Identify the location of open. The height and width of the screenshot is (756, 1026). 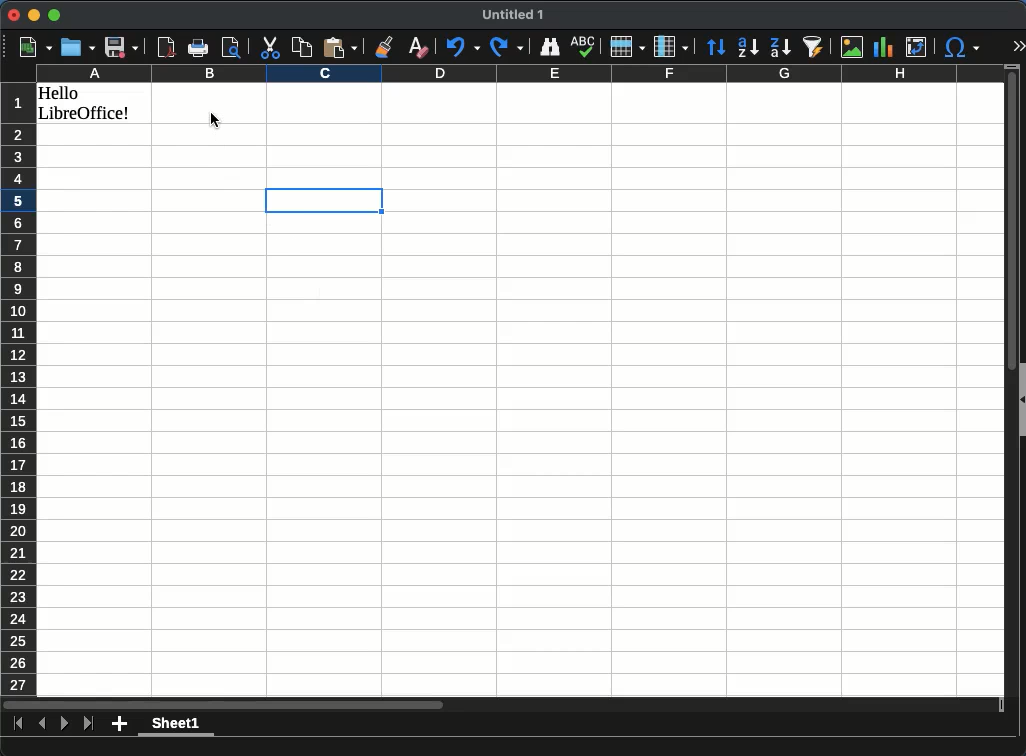
(75, 46).